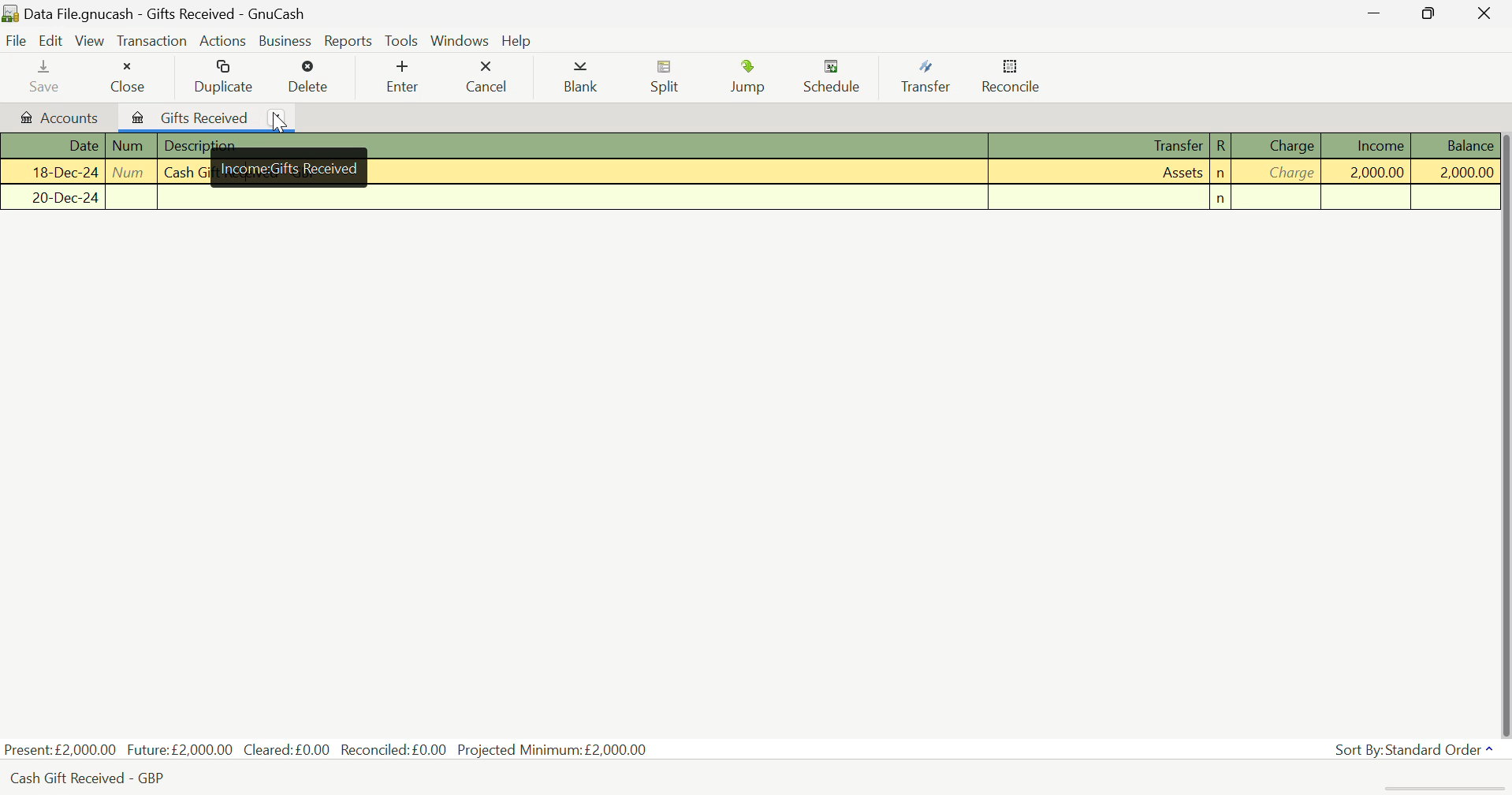  What do you see at coordinates (56, 115) in the screenshot?
I see `Accounts Tab` at bounding box center [56, 115].